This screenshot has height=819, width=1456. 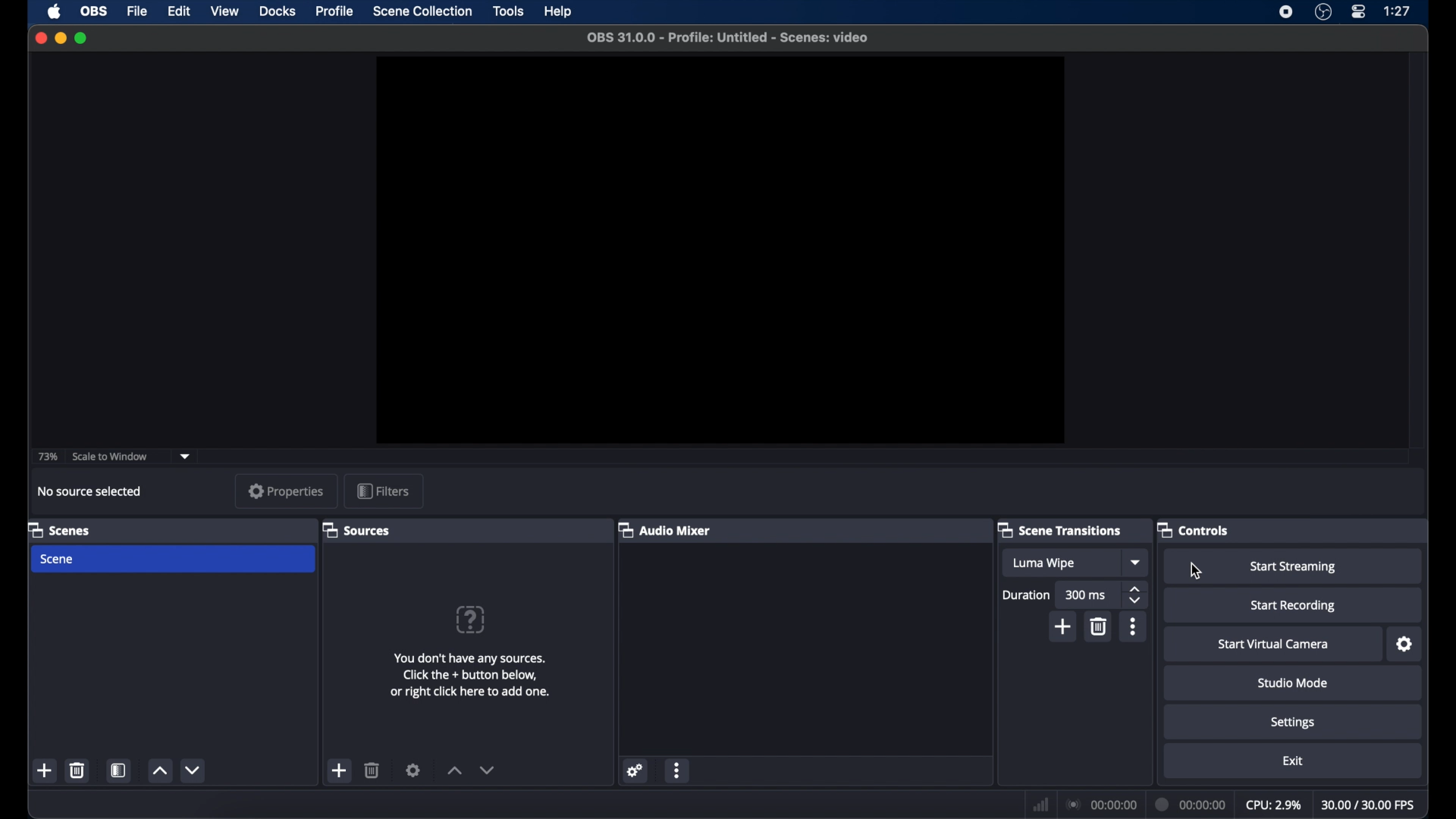 I want to click on sources, so click(x=358, y=530).